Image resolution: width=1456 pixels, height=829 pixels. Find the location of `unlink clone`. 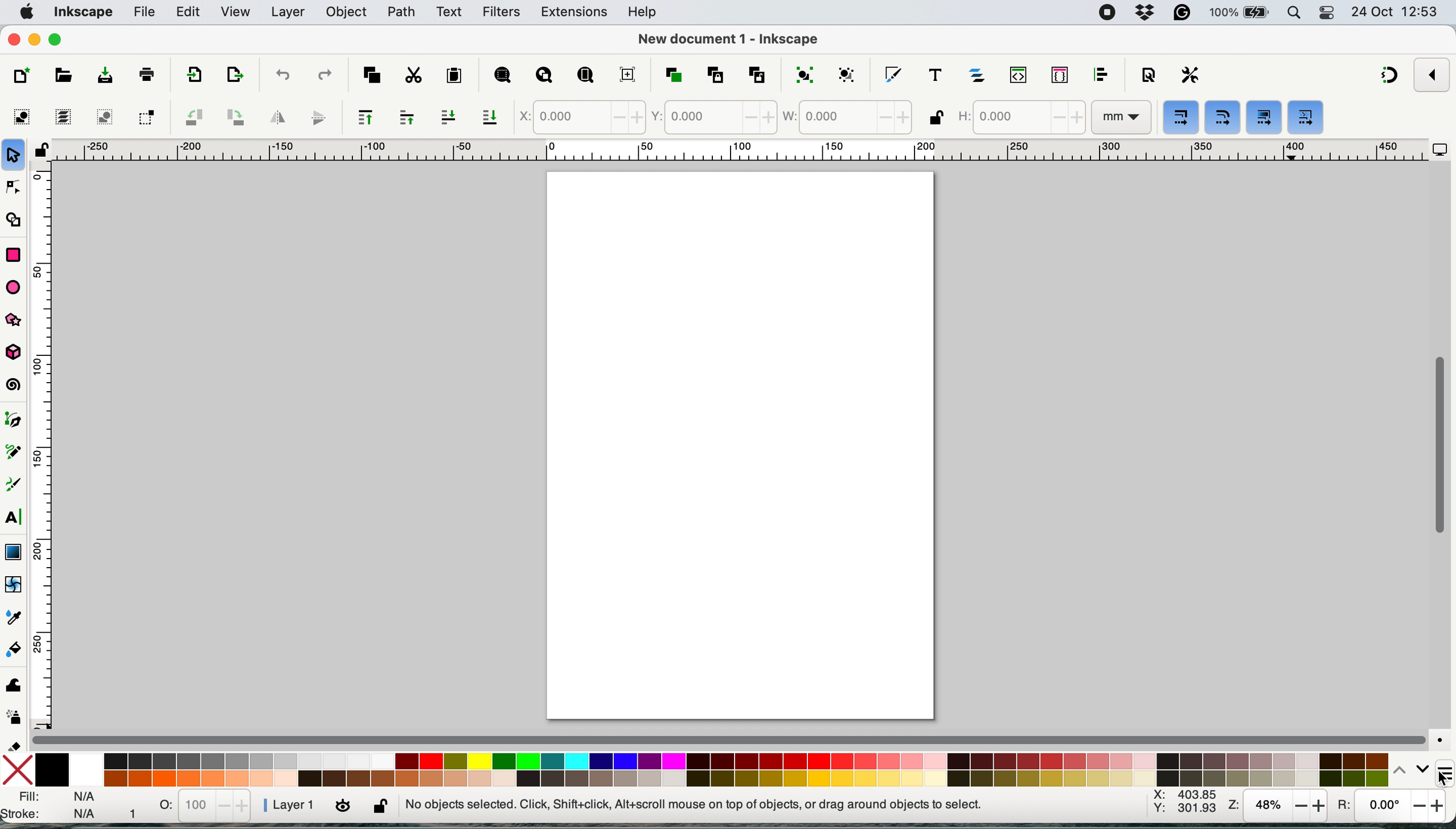

unlink clone is located at coordinates (756, 74).